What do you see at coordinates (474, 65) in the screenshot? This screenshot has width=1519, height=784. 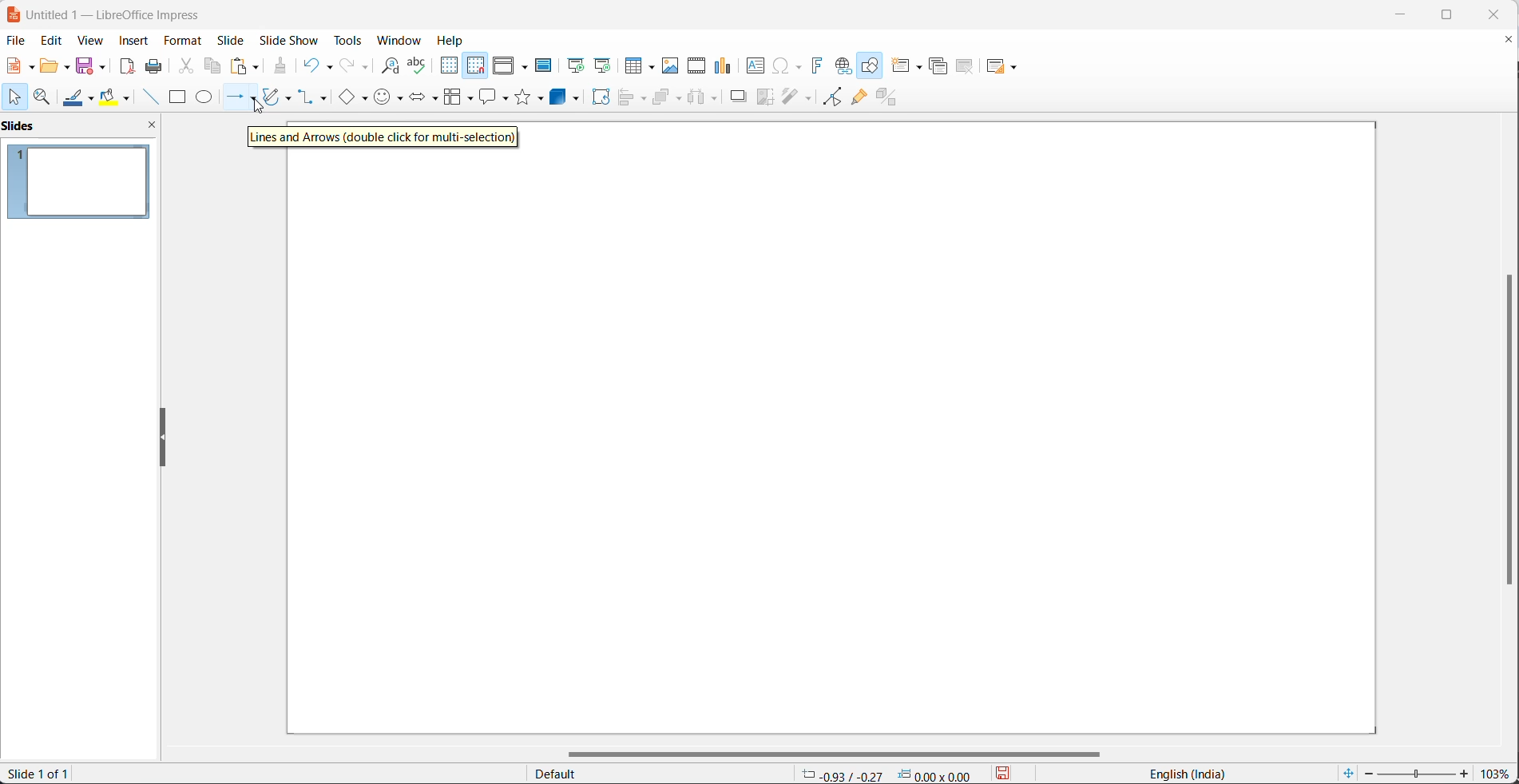 I see `snap to grid` at bounding box center [474, 65].